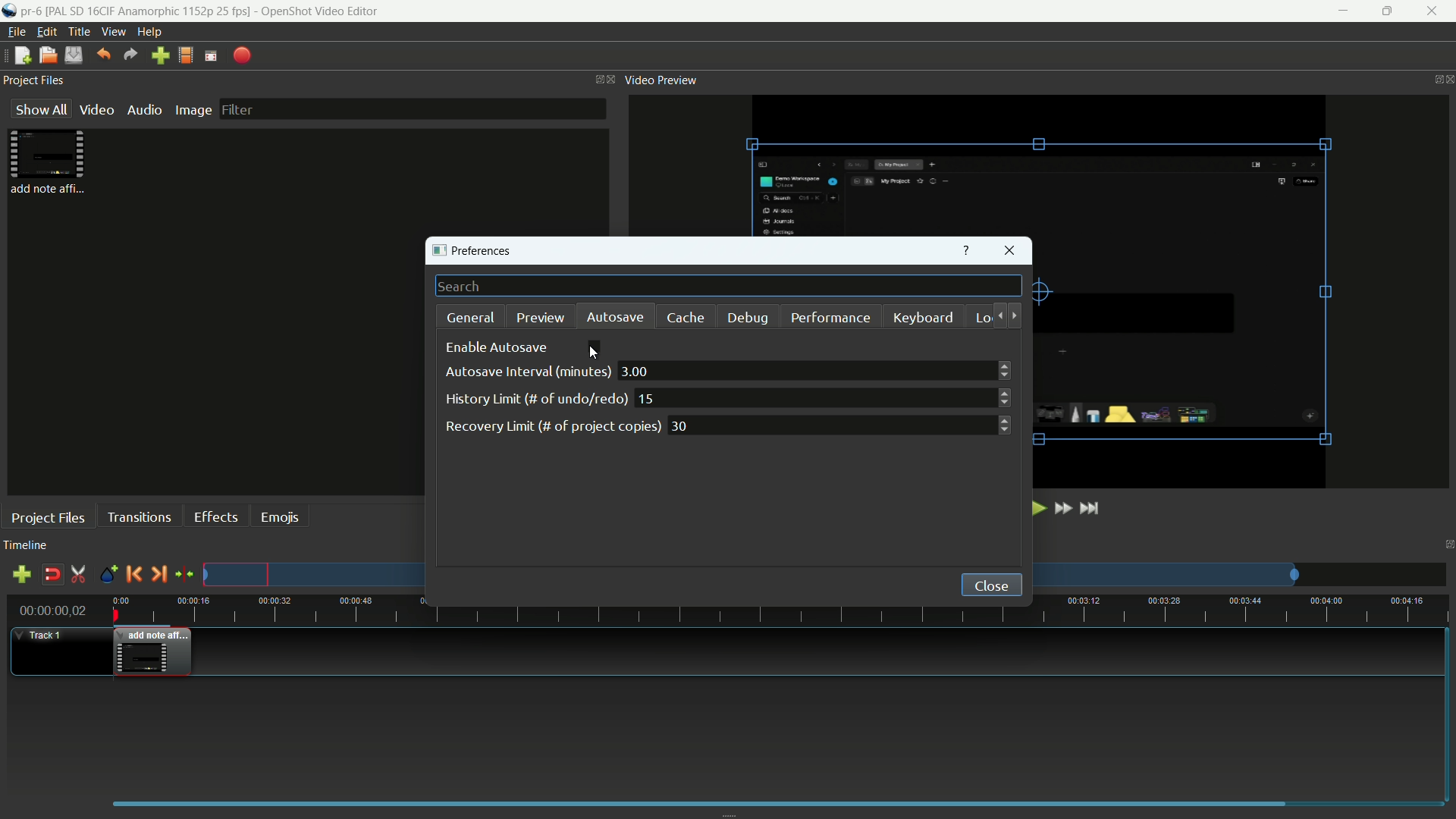 The height and width of the screenshot is (819, 1456). I want to click on keyboard, so click(922, 316).